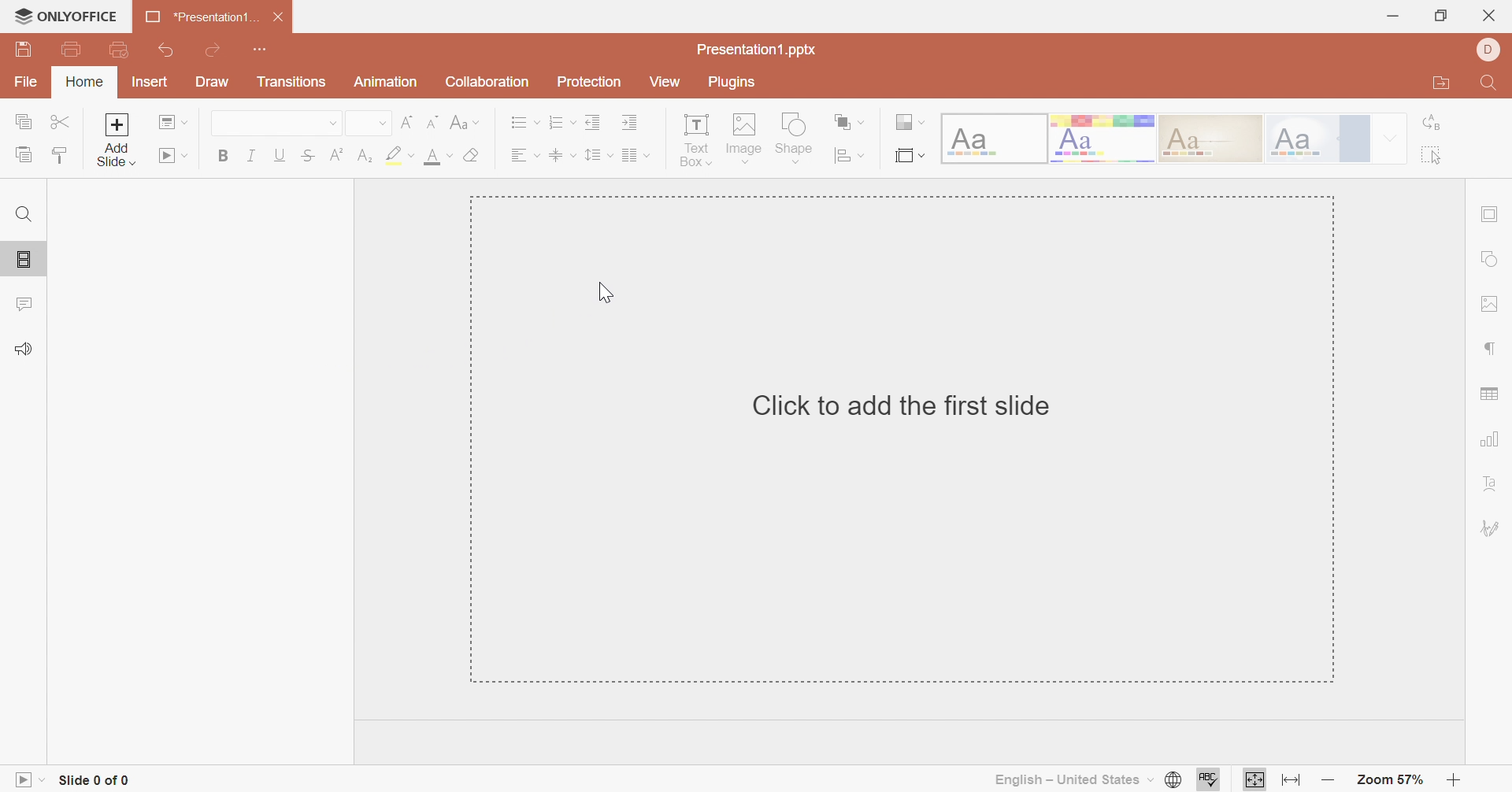 The image size is (1512, 792). I want to click on Customize Quick Access Toolbar, so click(264, 50).